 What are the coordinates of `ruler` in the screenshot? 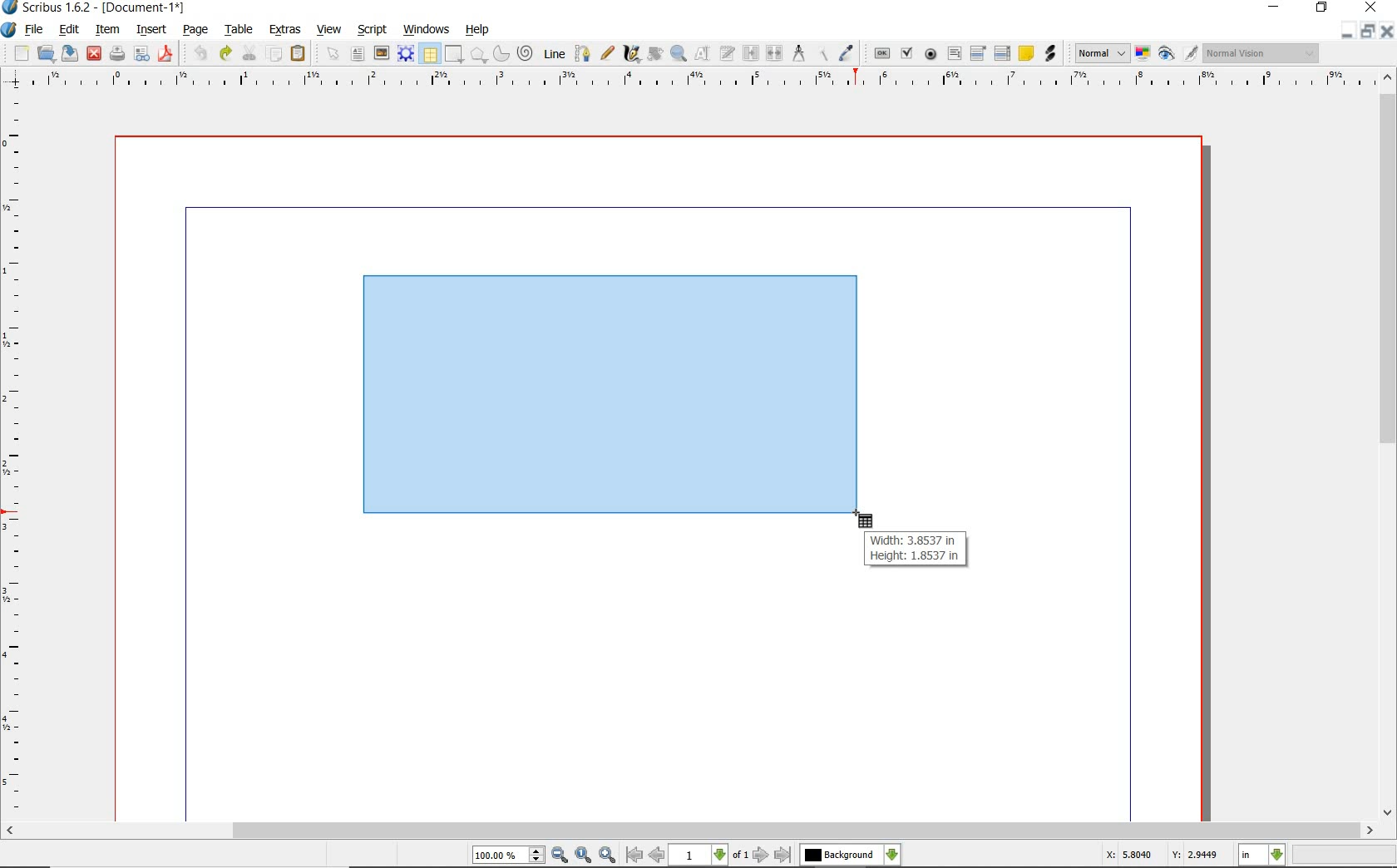 It's located at (16, 455).